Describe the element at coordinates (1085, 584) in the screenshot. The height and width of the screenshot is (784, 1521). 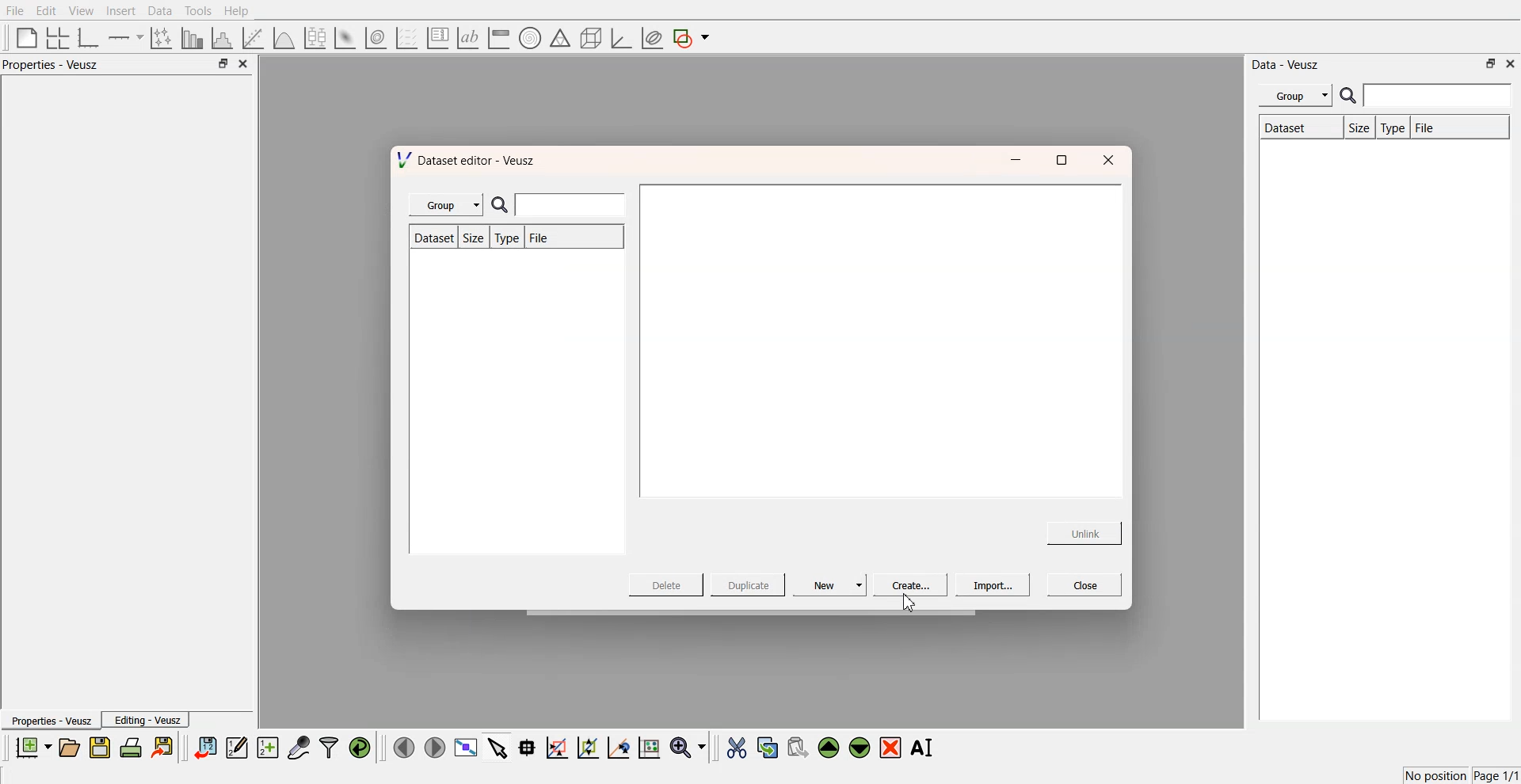
I see `Close` at that location.